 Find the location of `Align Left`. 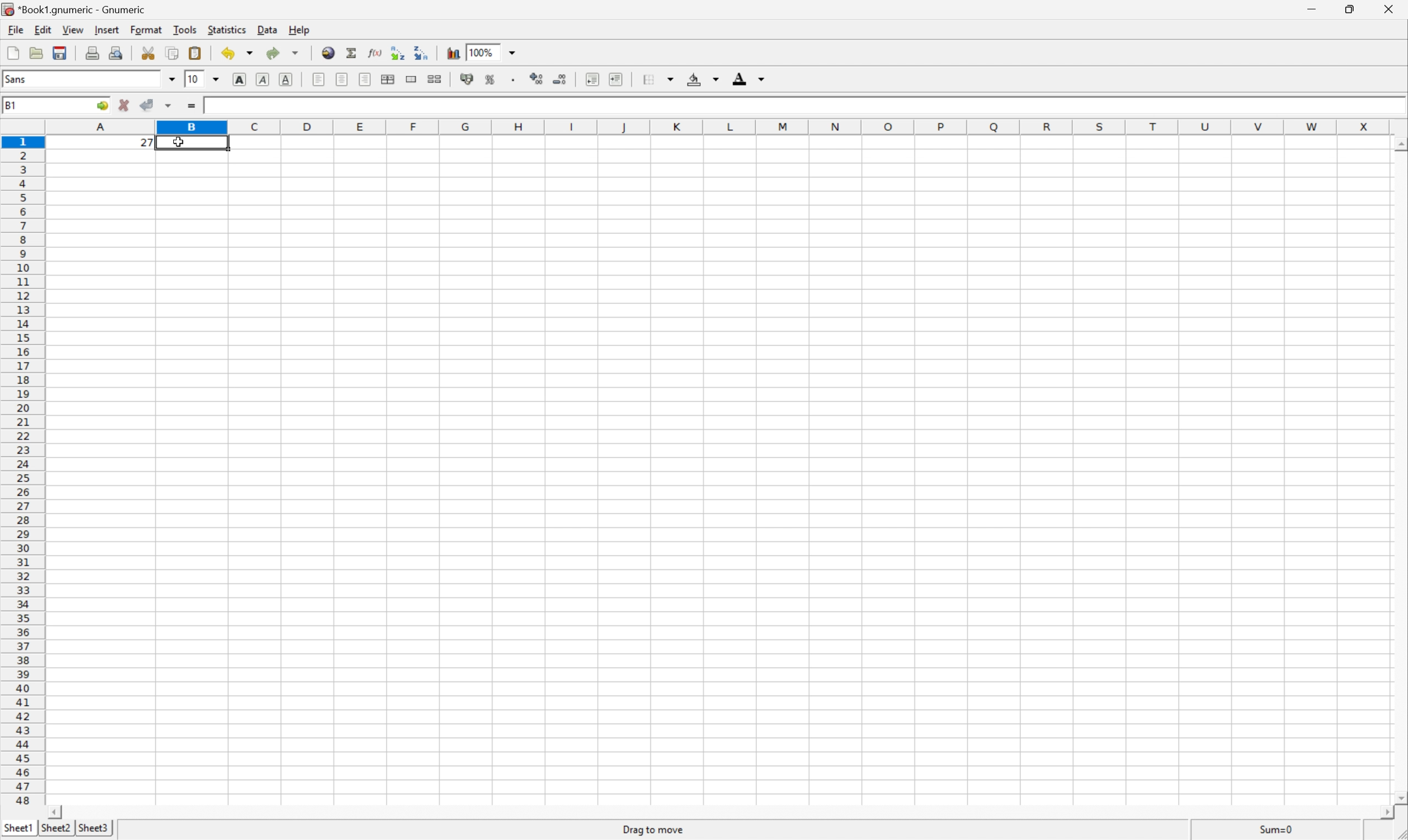

Align Left is located at coordinates (319, 81).